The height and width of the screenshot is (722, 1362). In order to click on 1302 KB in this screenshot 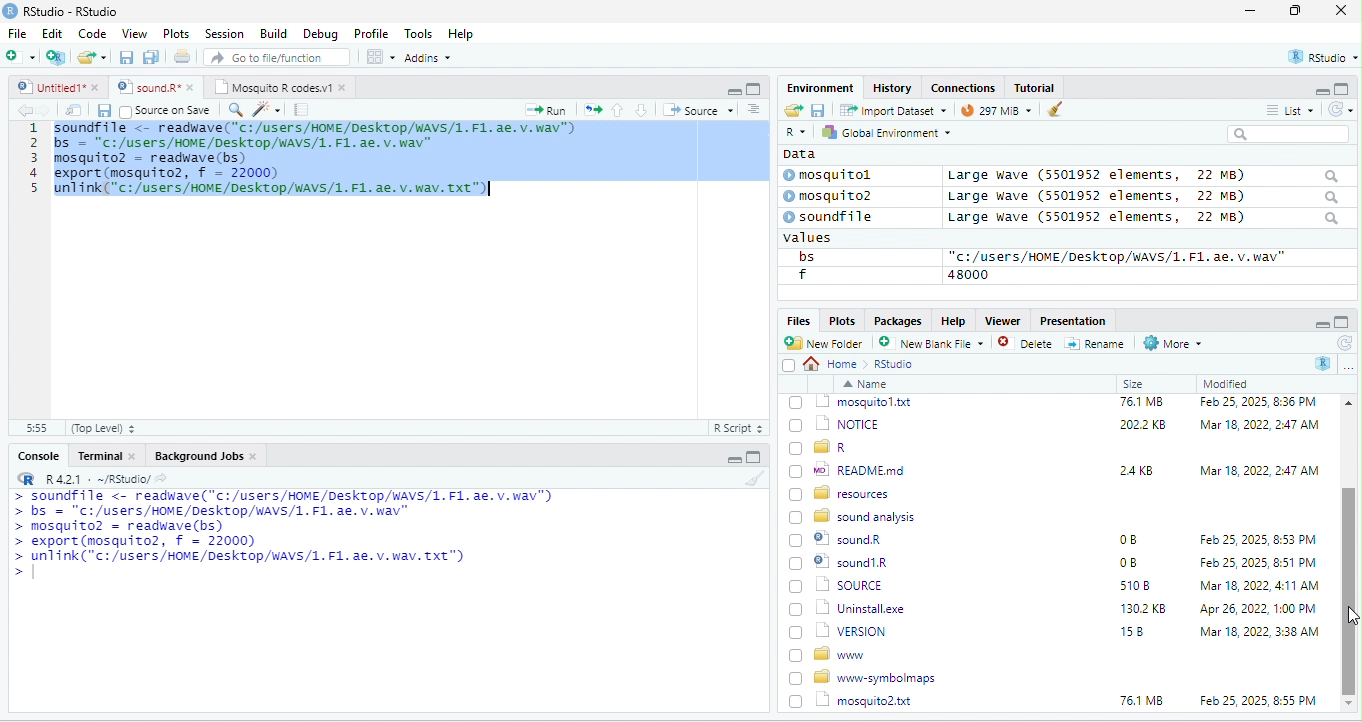, I will do `click(1145, 704)`.